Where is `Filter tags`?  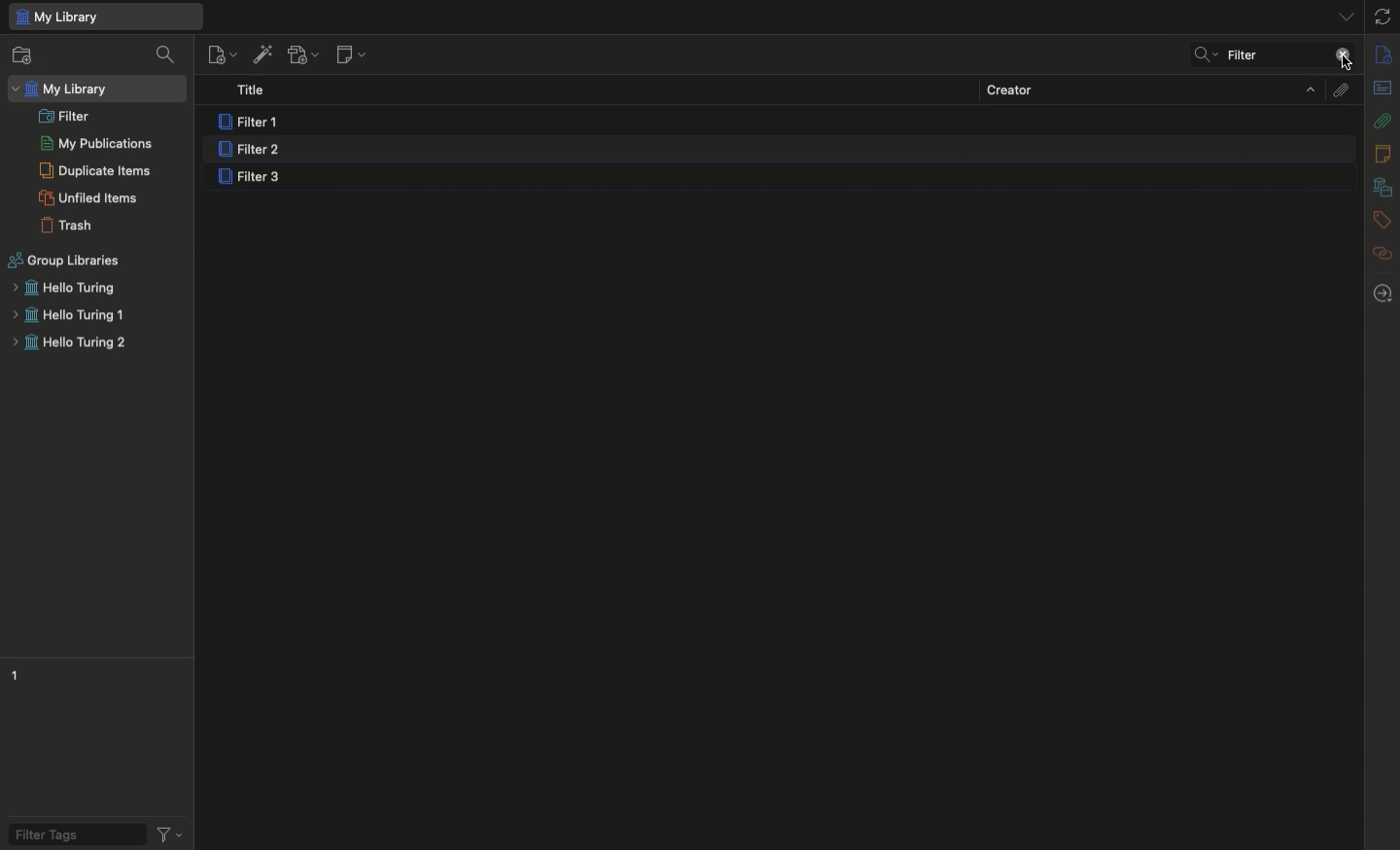
Filter tags is located at coordinates (70, 832).